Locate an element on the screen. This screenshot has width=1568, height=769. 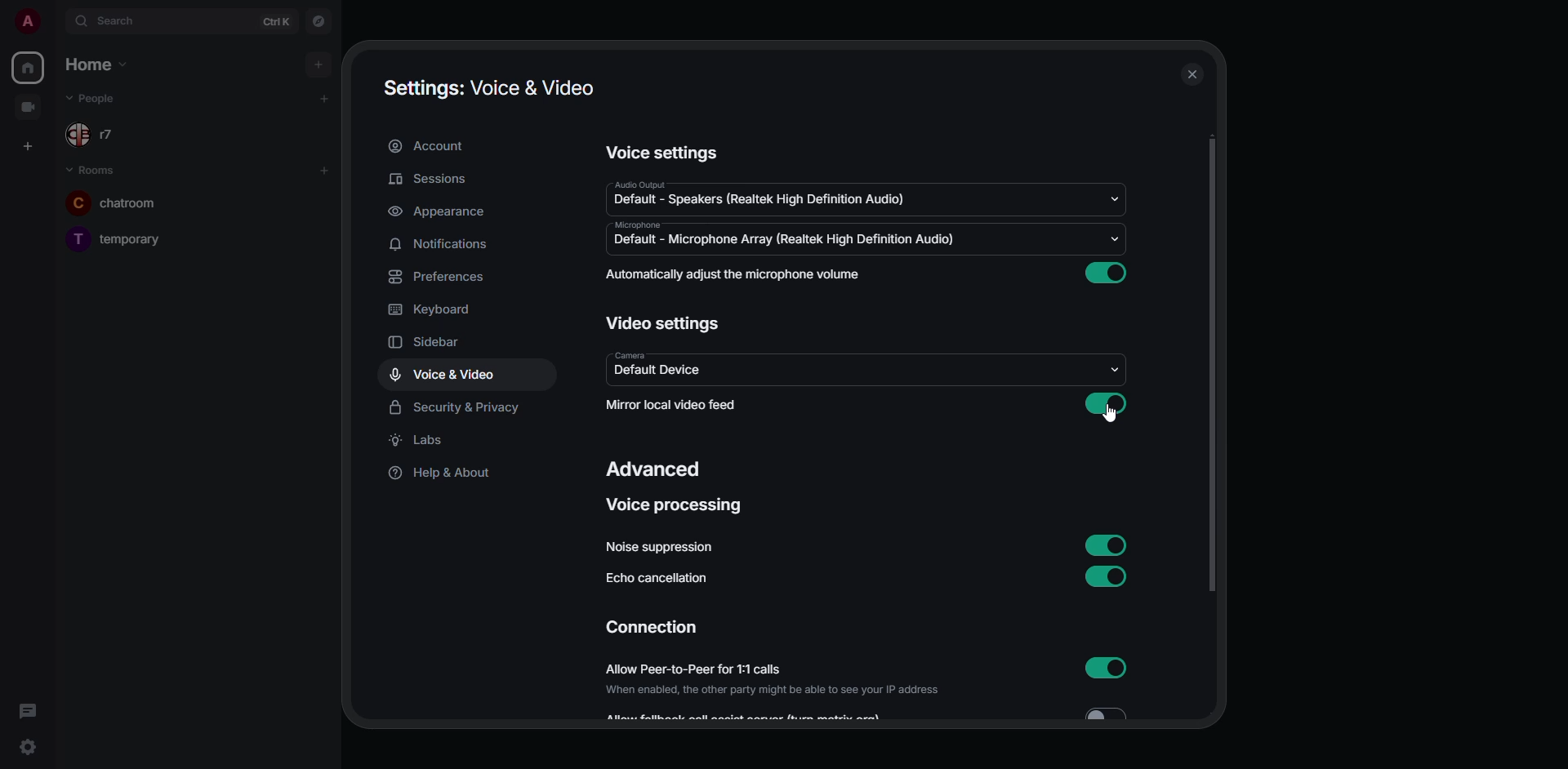
chatroom is located at coordinates (129, 201).